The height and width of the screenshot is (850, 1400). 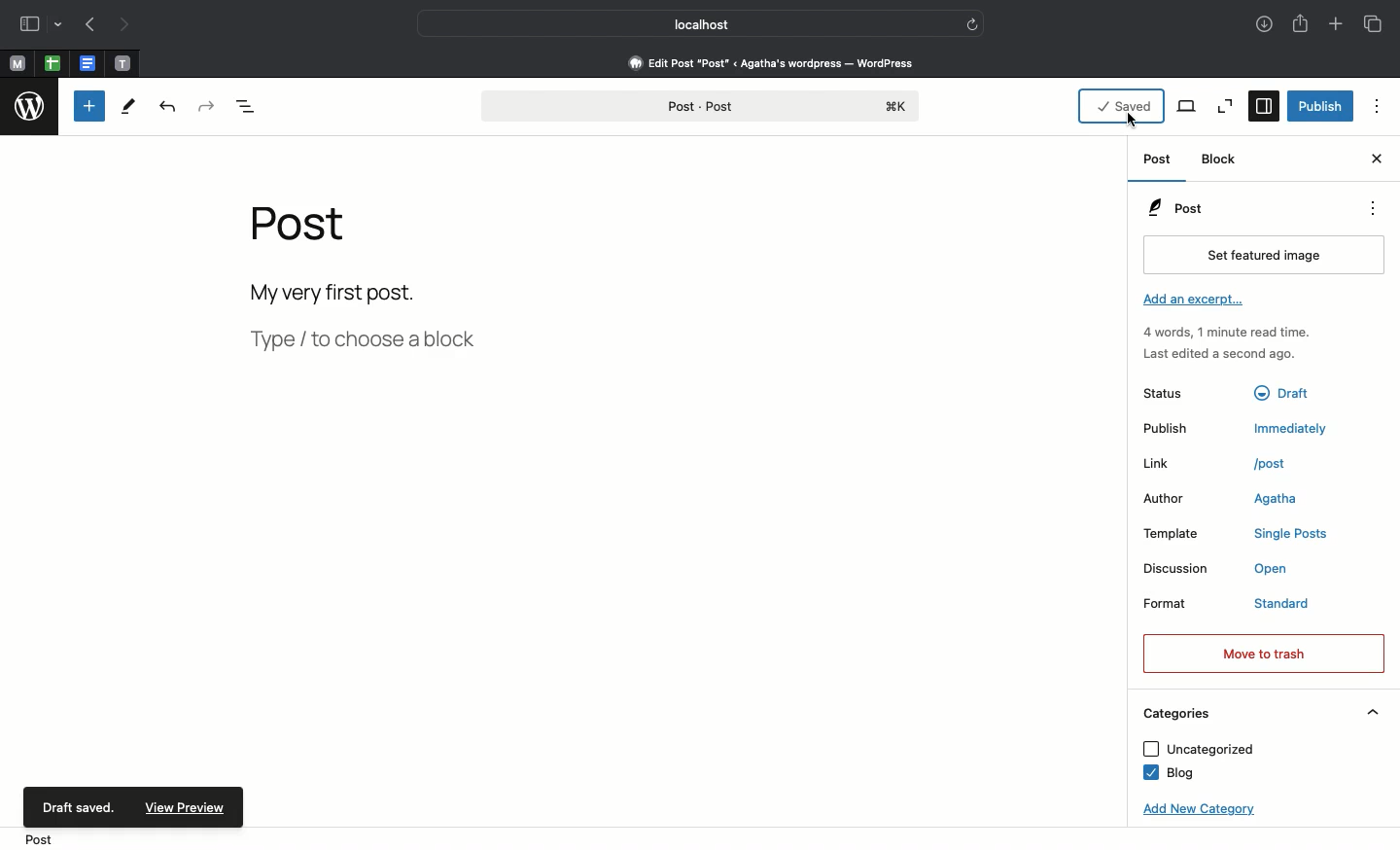 I want to click on Pinned tab, so click(x=17, y=65).